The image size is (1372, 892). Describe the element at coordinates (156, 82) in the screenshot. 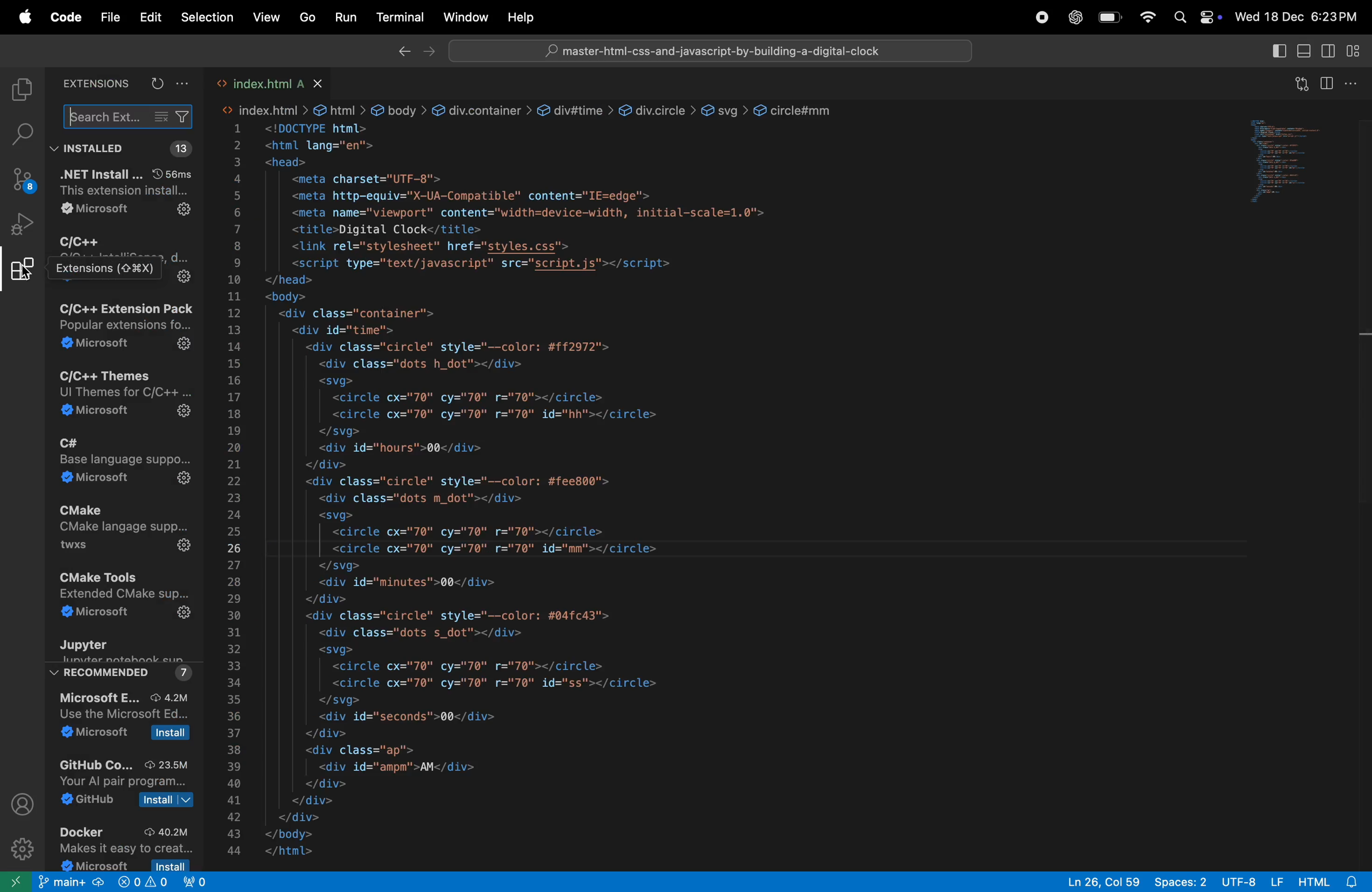

I see `refresh` at that location.